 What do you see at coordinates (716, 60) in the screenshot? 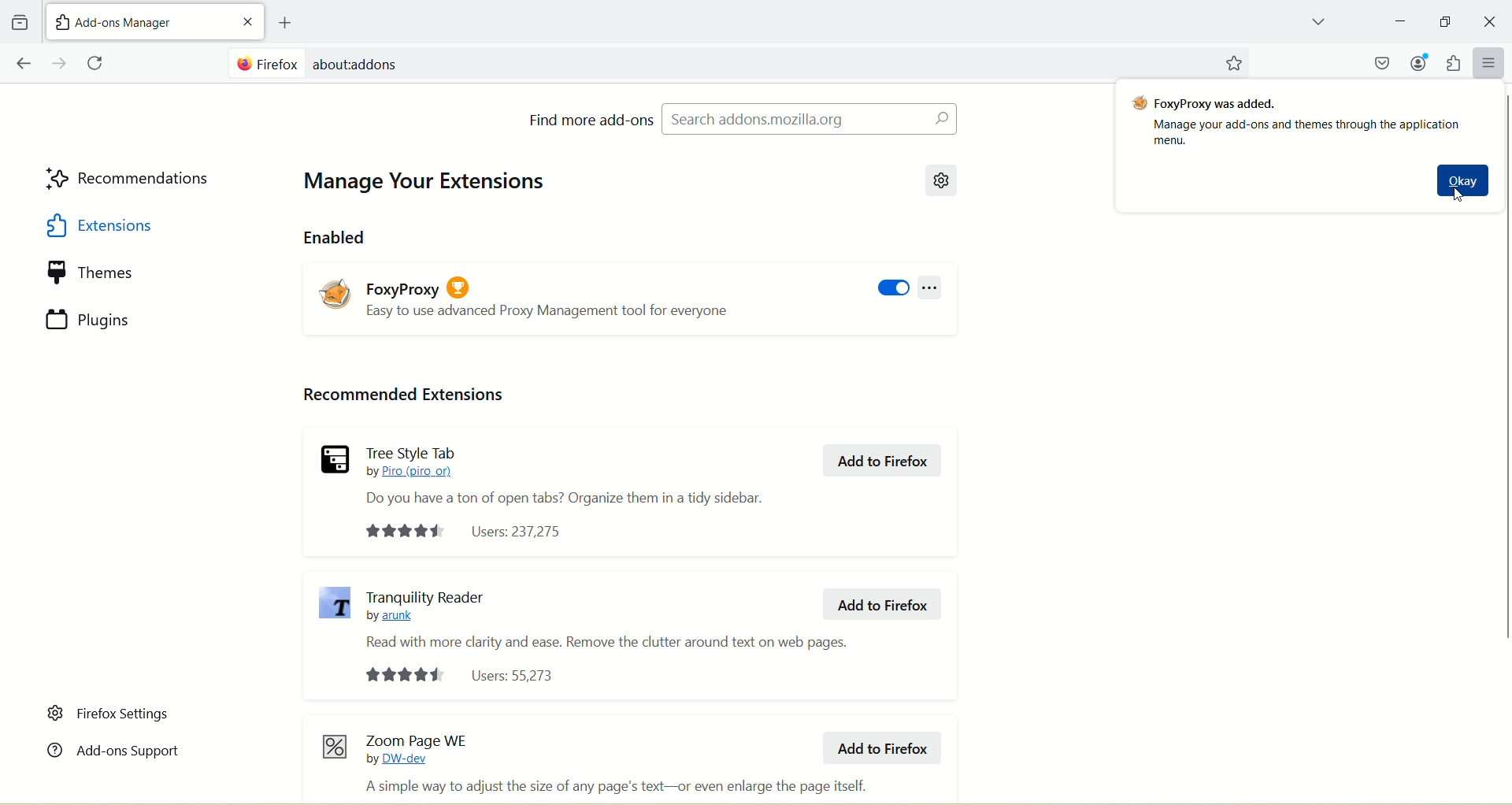
I see `Search bar` at bounding box center [716, 60].